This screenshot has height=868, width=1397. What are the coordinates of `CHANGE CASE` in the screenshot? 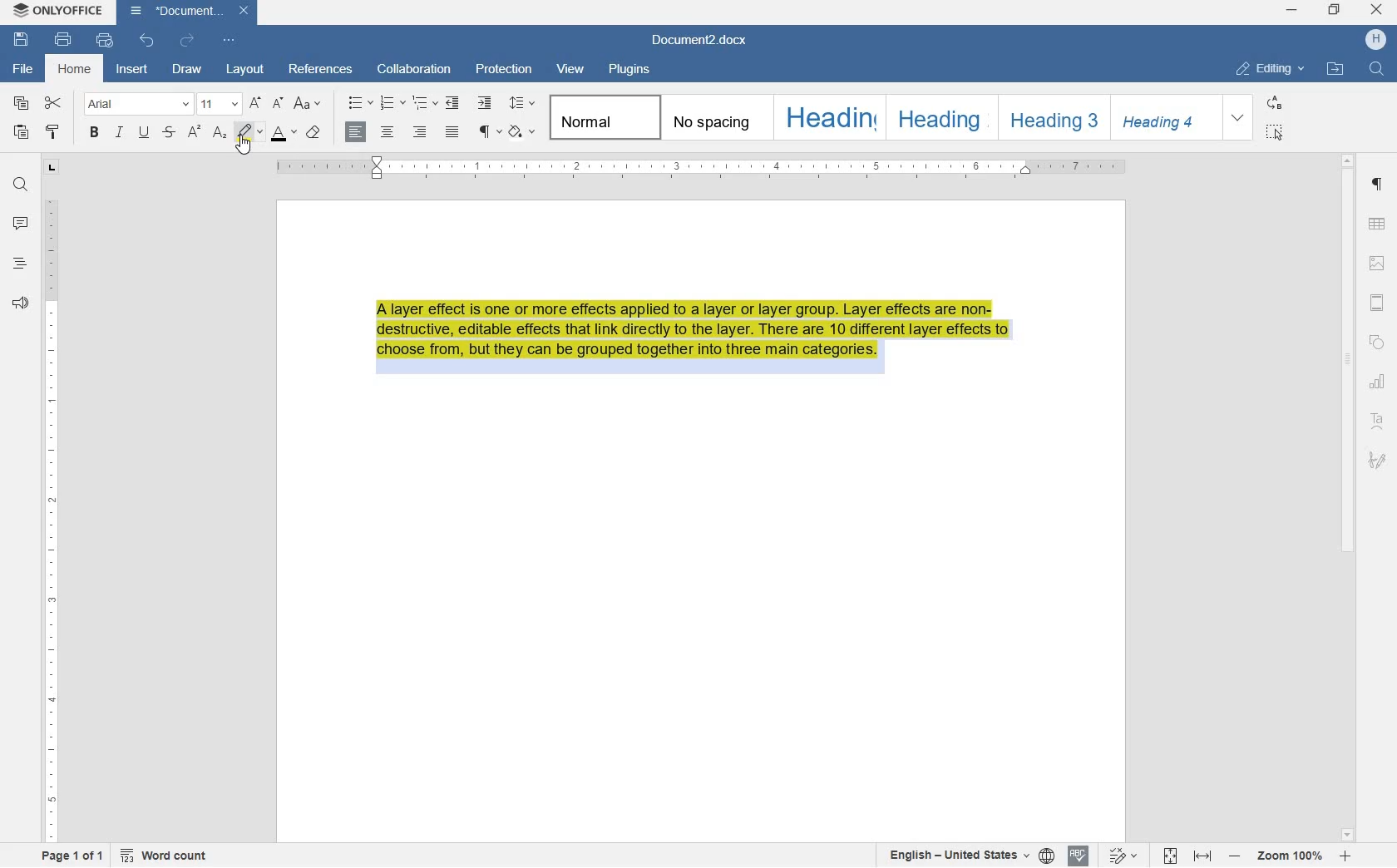 It's located at (309, 104).